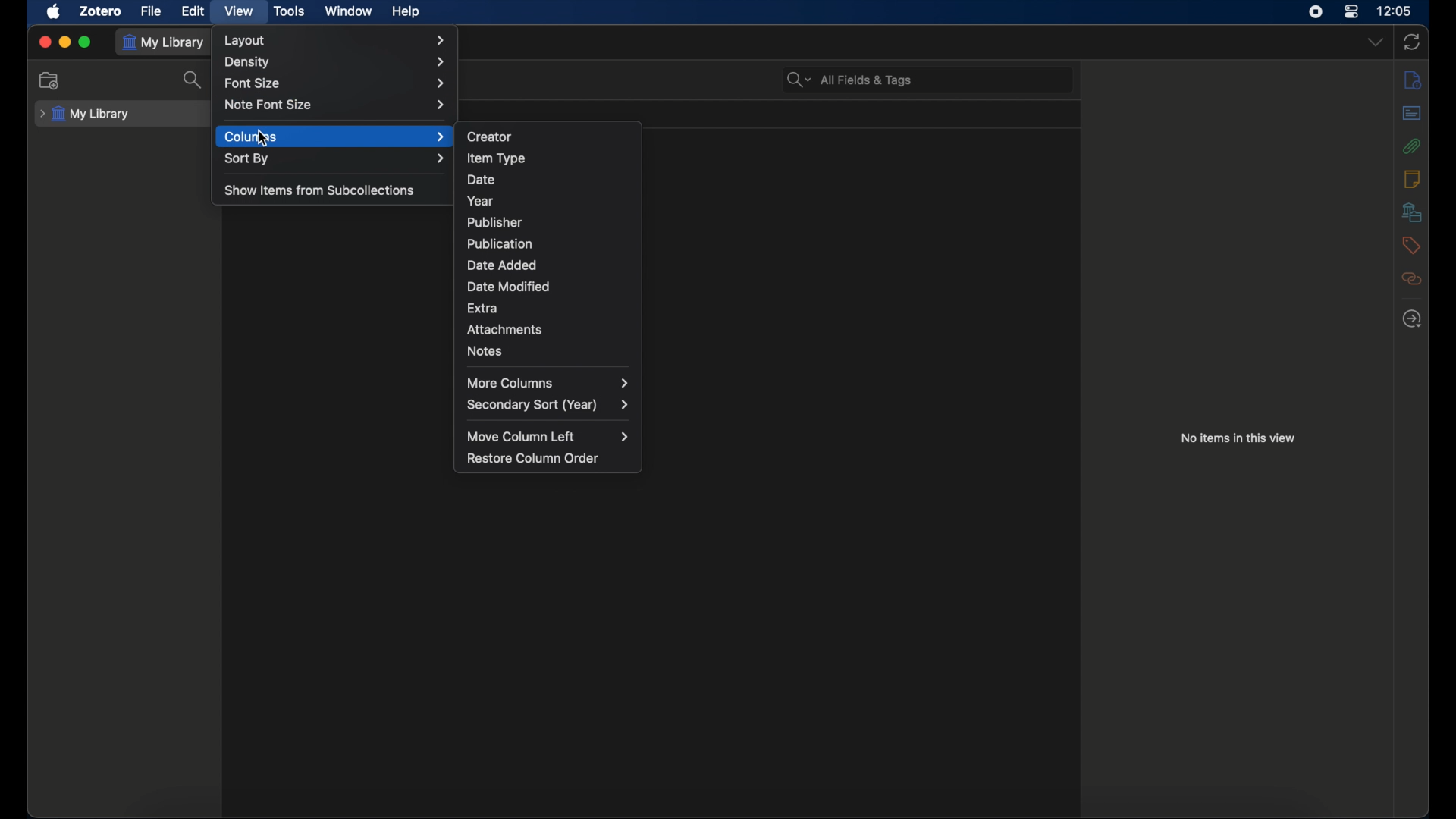 This screenshot has width=1456, height=819. What do you see at coordinates (1411, 244) in the screenshot?
I see `tags` at bounding box center [1411, 244].